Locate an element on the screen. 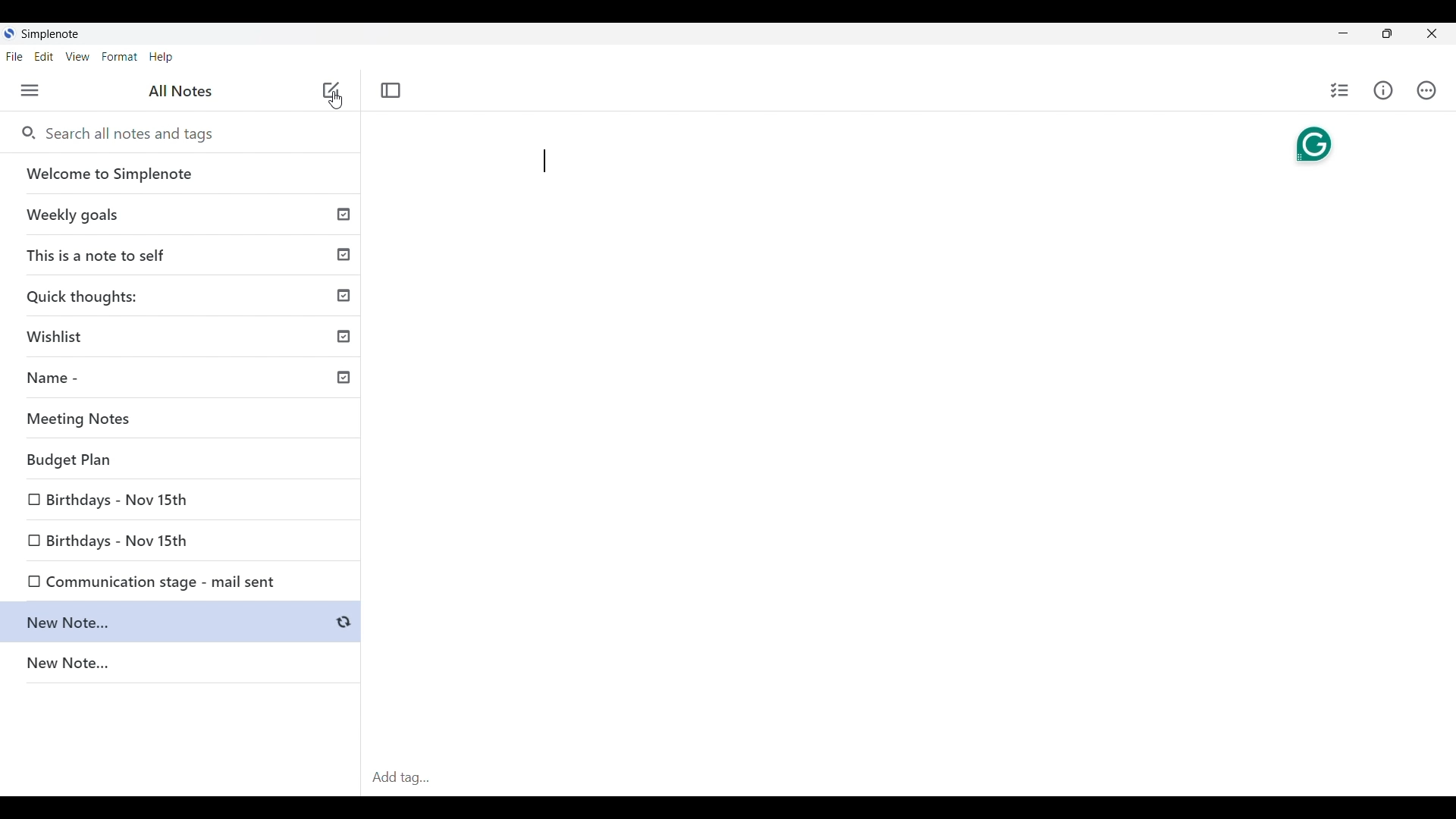  Edit is located at coordinates (44, 56).